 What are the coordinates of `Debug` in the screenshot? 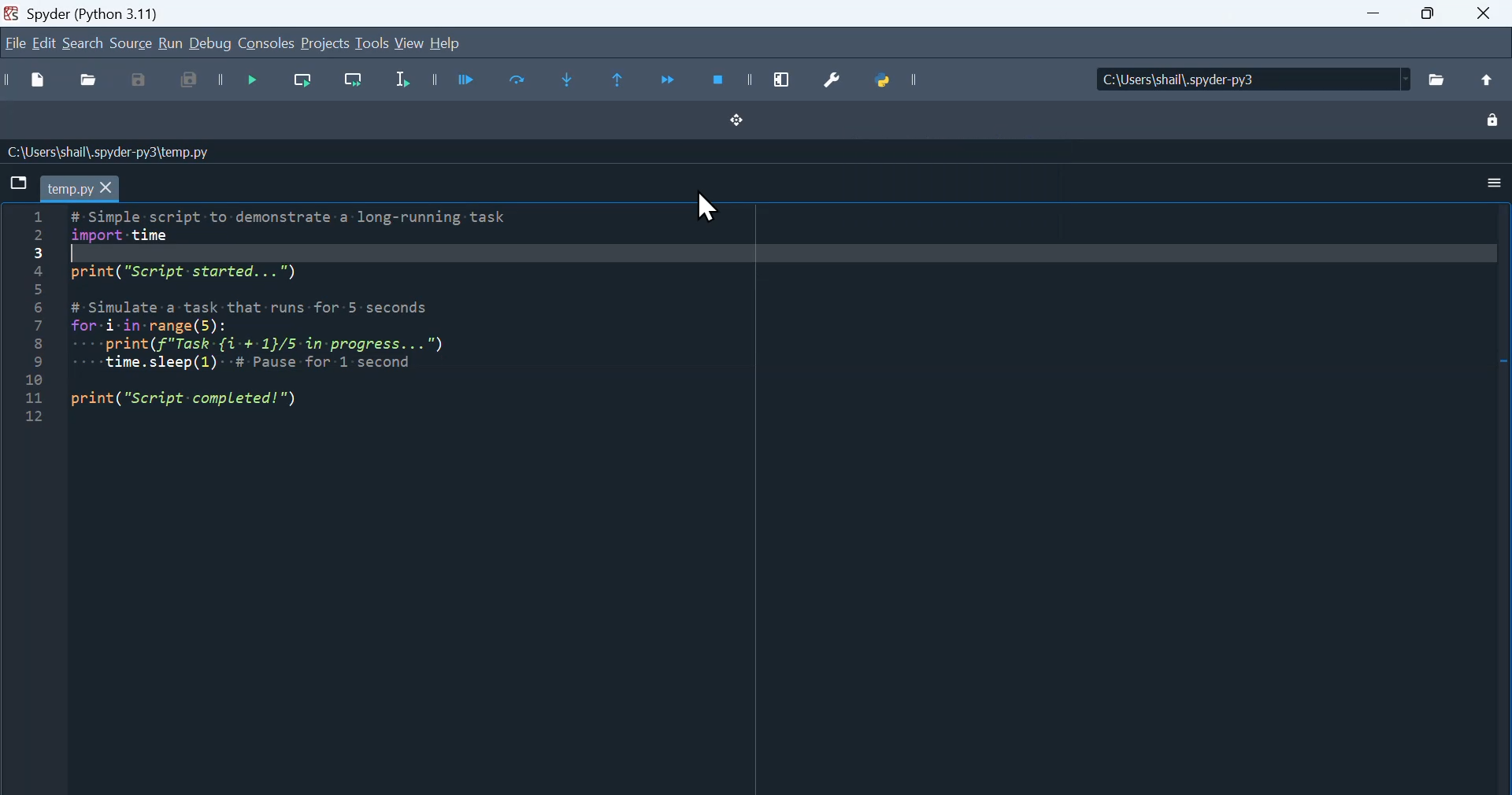 It's located at (212, 46).